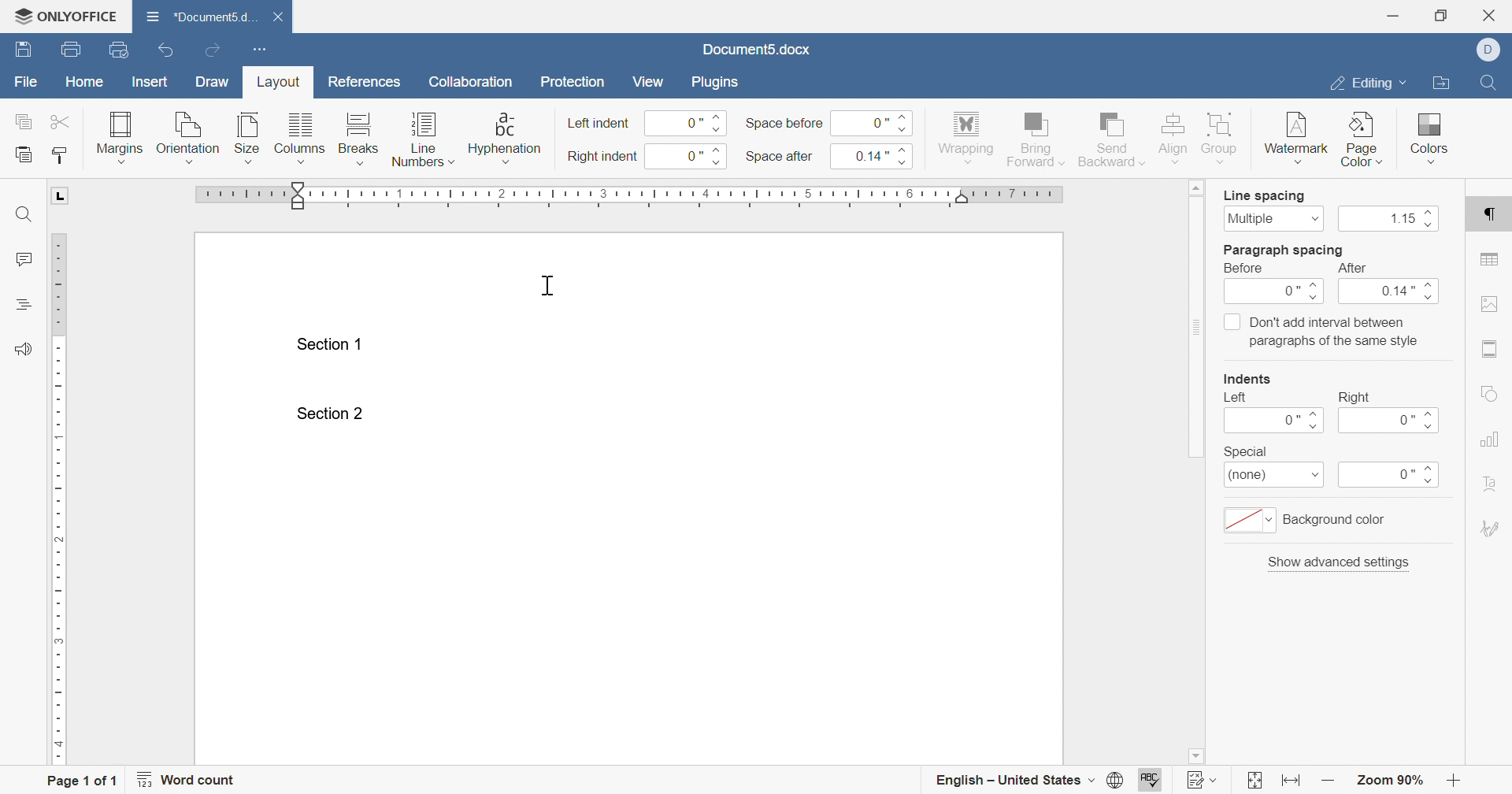 The height and width of the screenshot is (794, 1512). I want to click on word count, so click(190, 779).